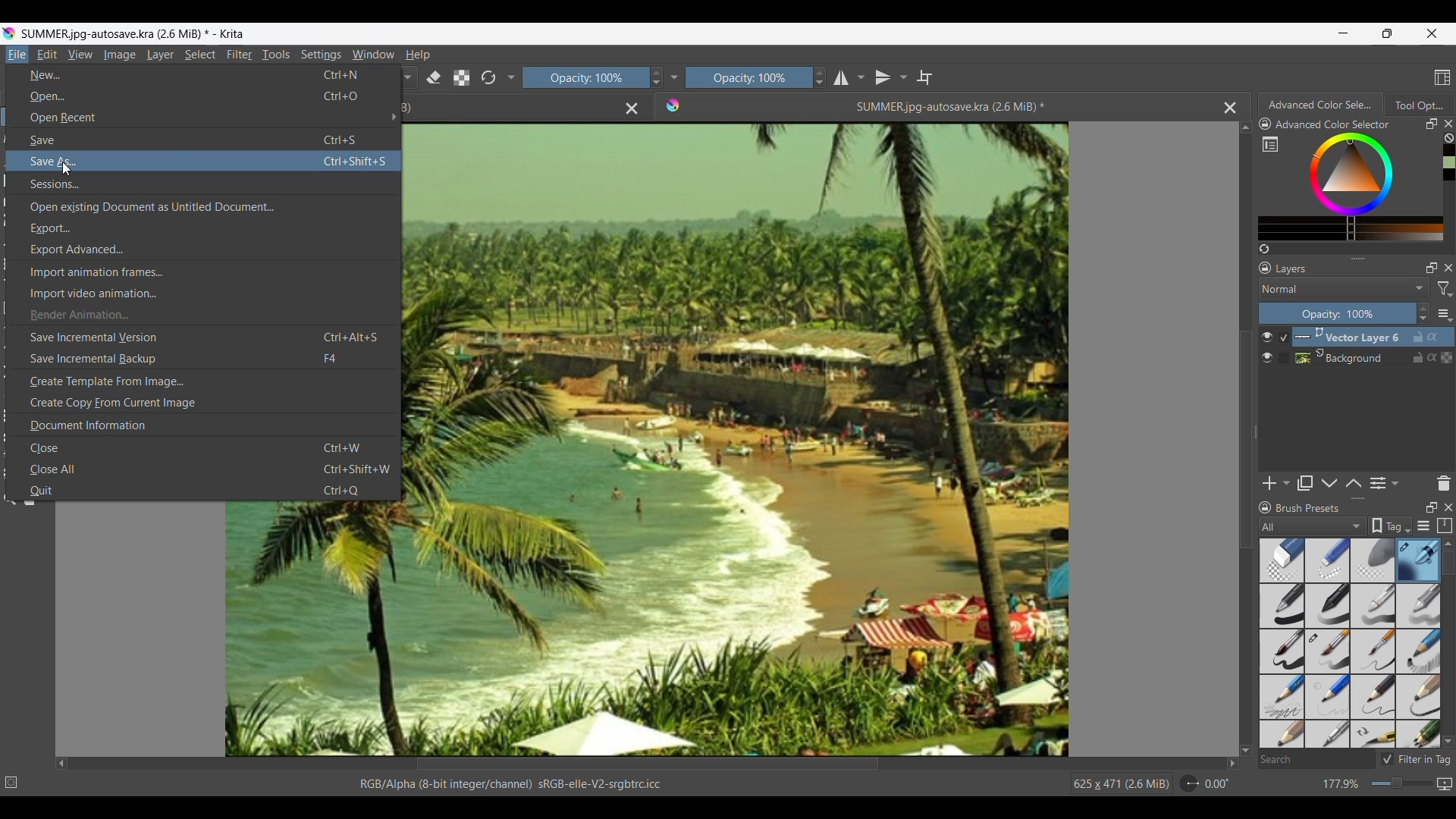 Image resolution: width=1456 pixels, height=819 pixels. I want to click on Opacity scale, so click(745, 77).